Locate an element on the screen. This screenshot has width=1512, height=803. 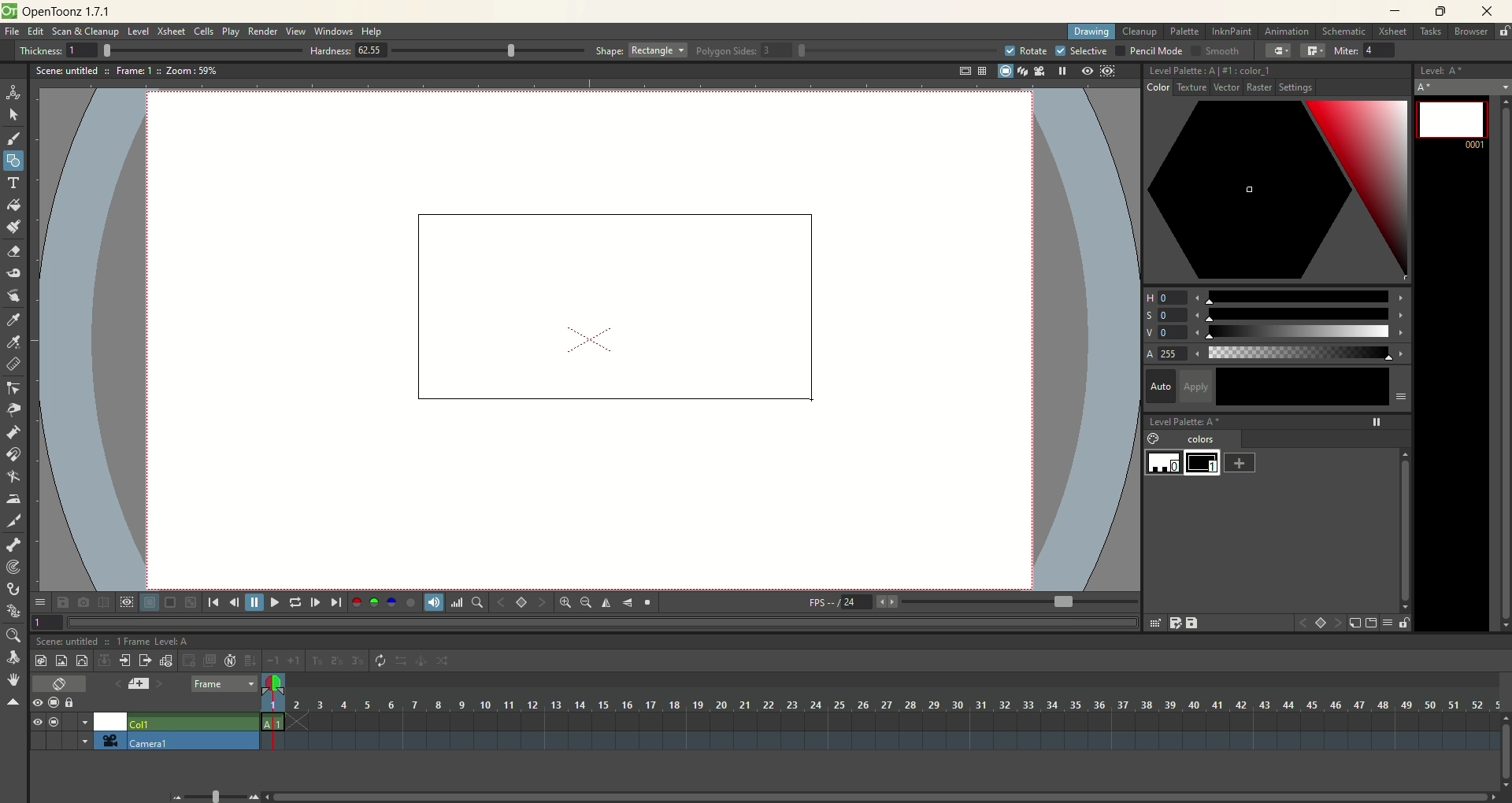
alpha channel is located at coordinates (410, 601).